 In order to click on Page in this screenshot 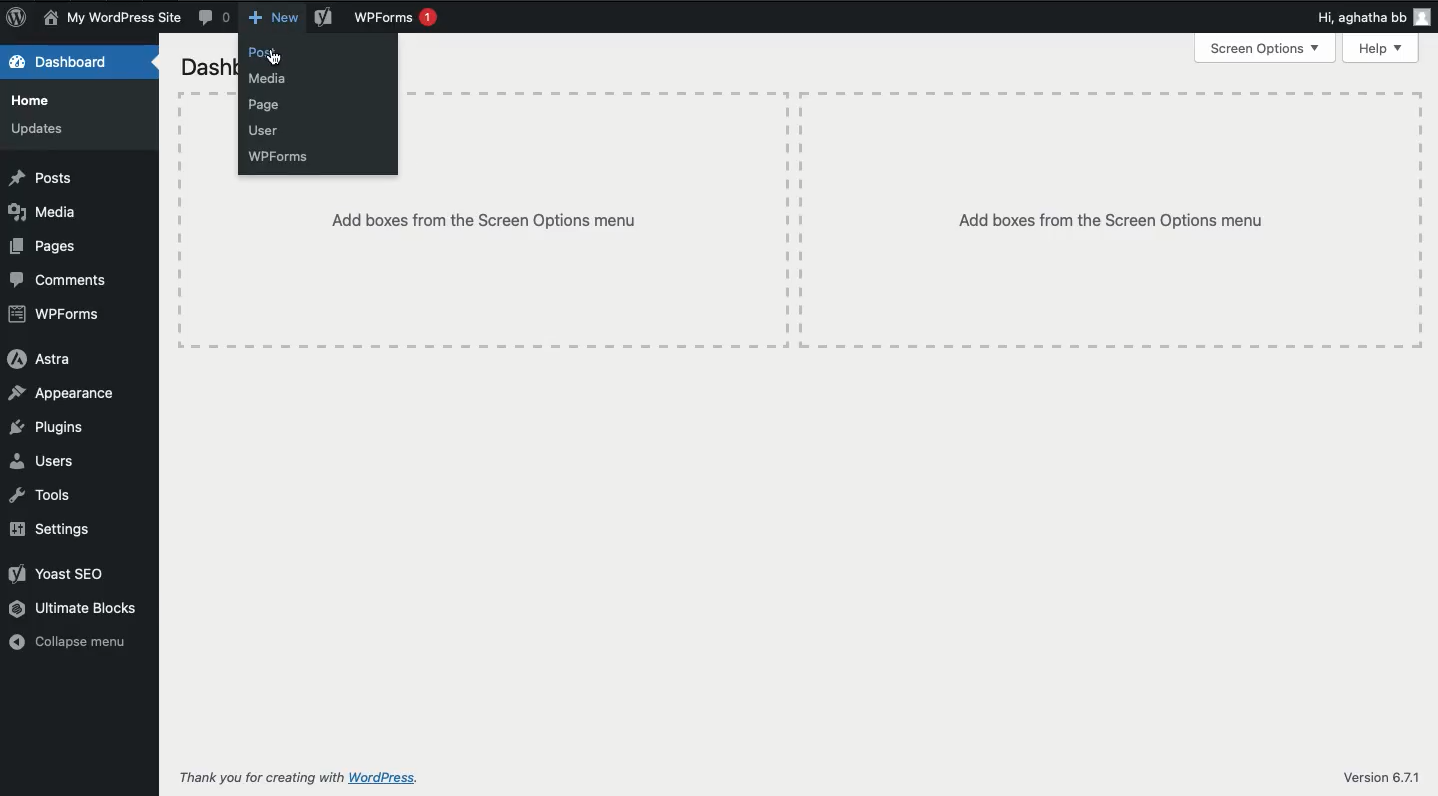, I will do `click(270, 105)`.